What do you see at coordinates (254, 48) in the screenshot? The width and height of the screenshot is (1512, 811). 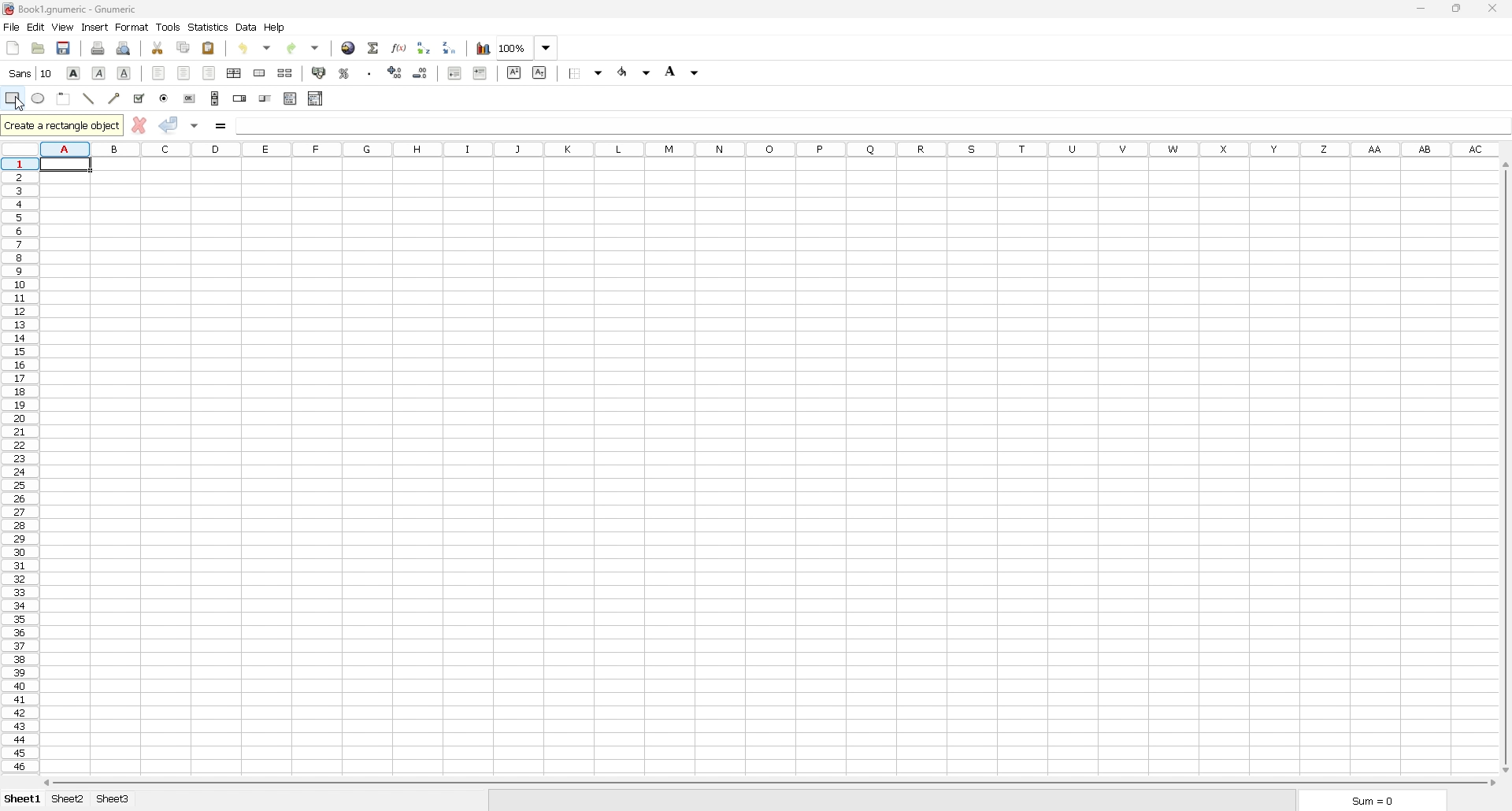 I see `undo` at bounding box center [254, 48].